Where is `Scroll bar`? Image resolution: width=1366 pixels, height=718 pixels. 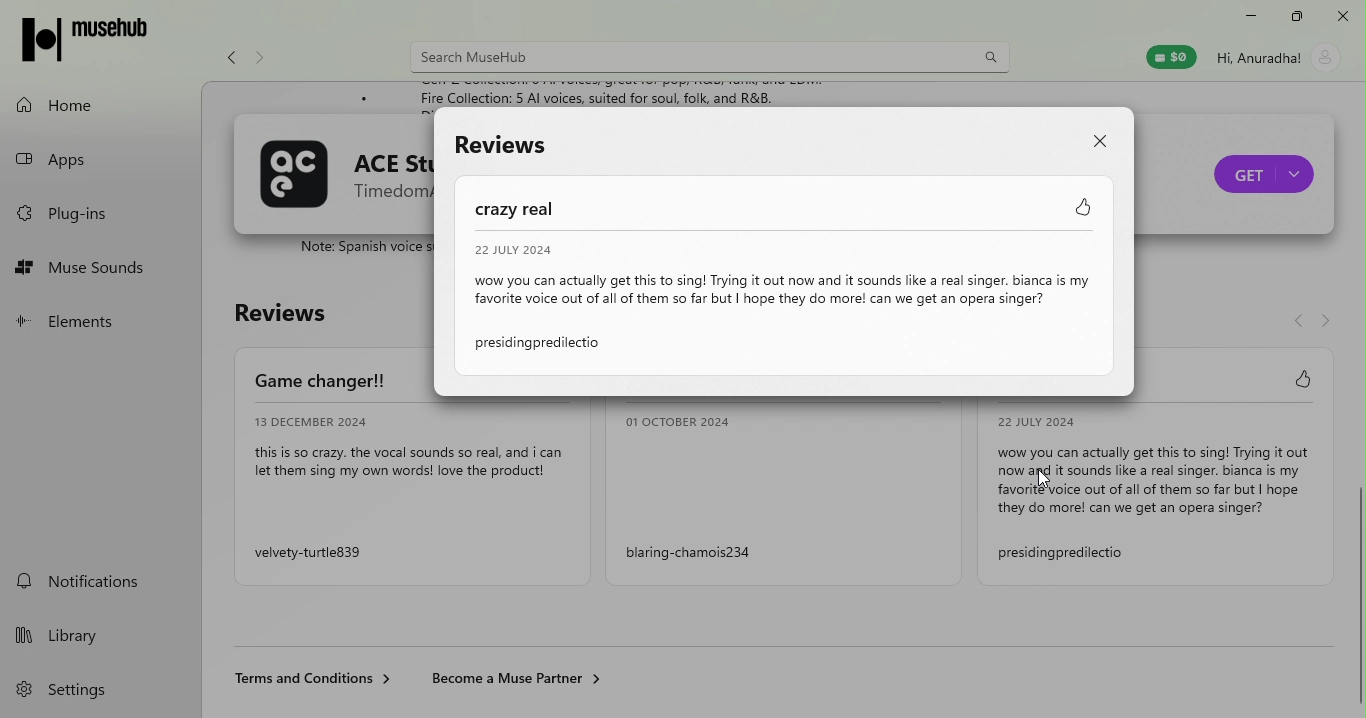
Scroll bar is located at coordinates (1358, 400).